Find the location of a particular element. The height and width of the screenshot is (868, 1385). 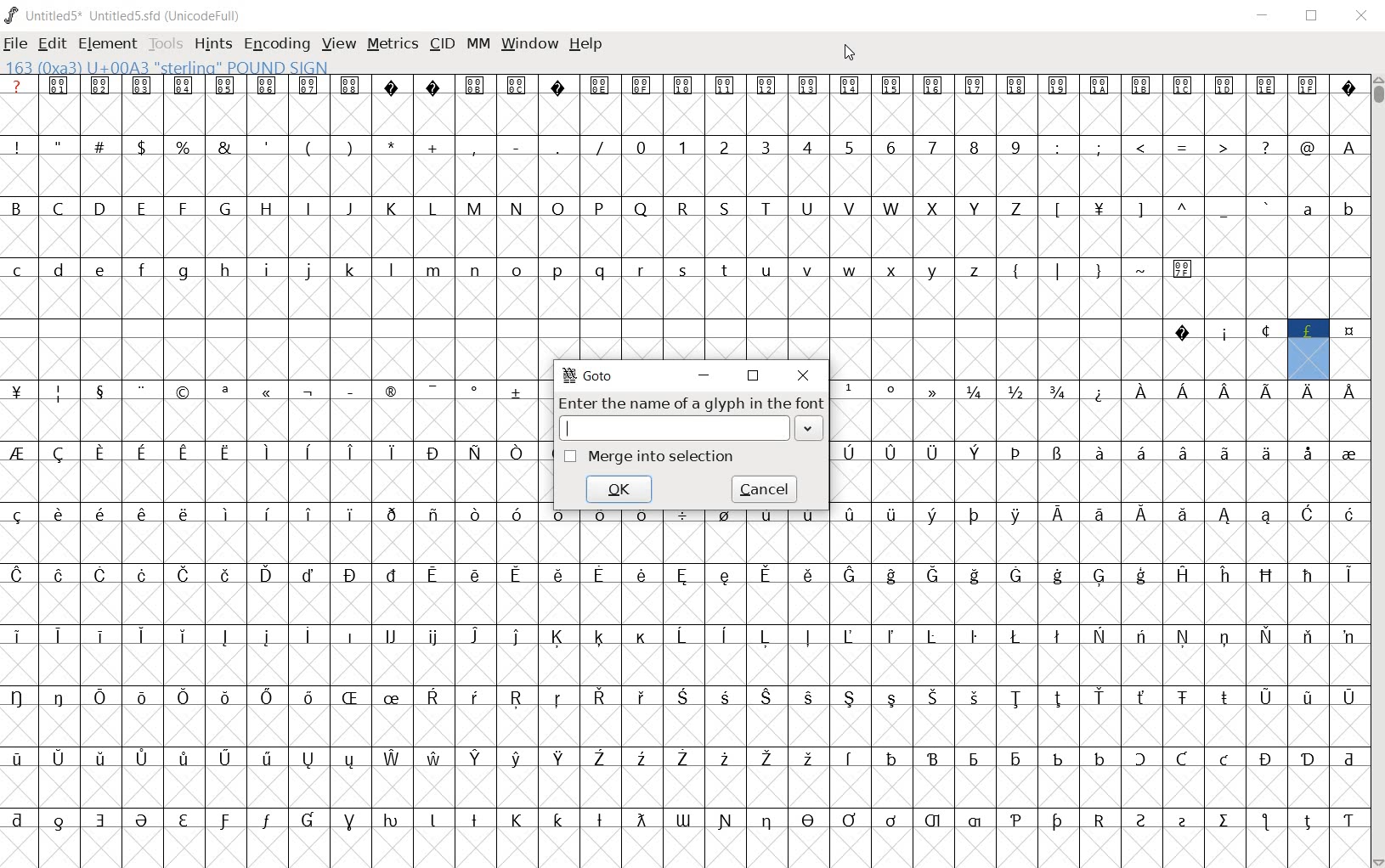

FILE is located at coordinates (16, 42).